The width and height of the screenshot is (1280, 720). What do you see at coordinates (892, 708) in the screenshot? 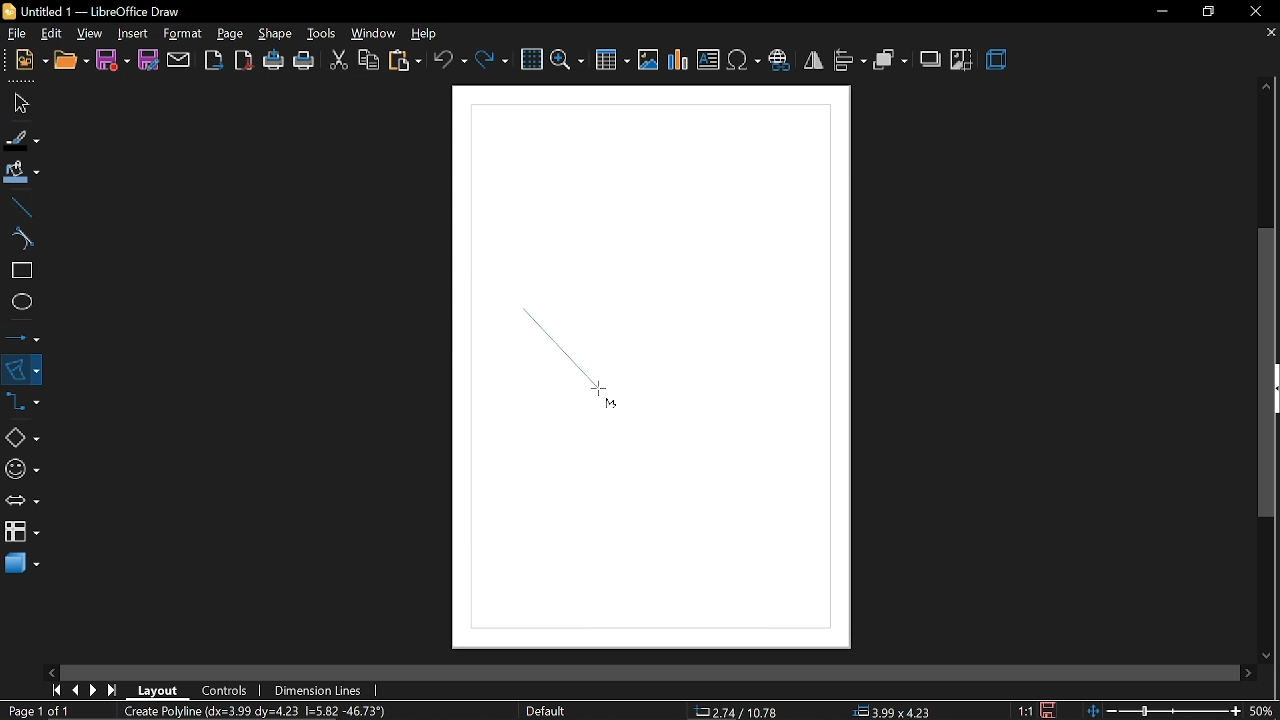
I see `position 00X00` at bounding box center [892, 708].